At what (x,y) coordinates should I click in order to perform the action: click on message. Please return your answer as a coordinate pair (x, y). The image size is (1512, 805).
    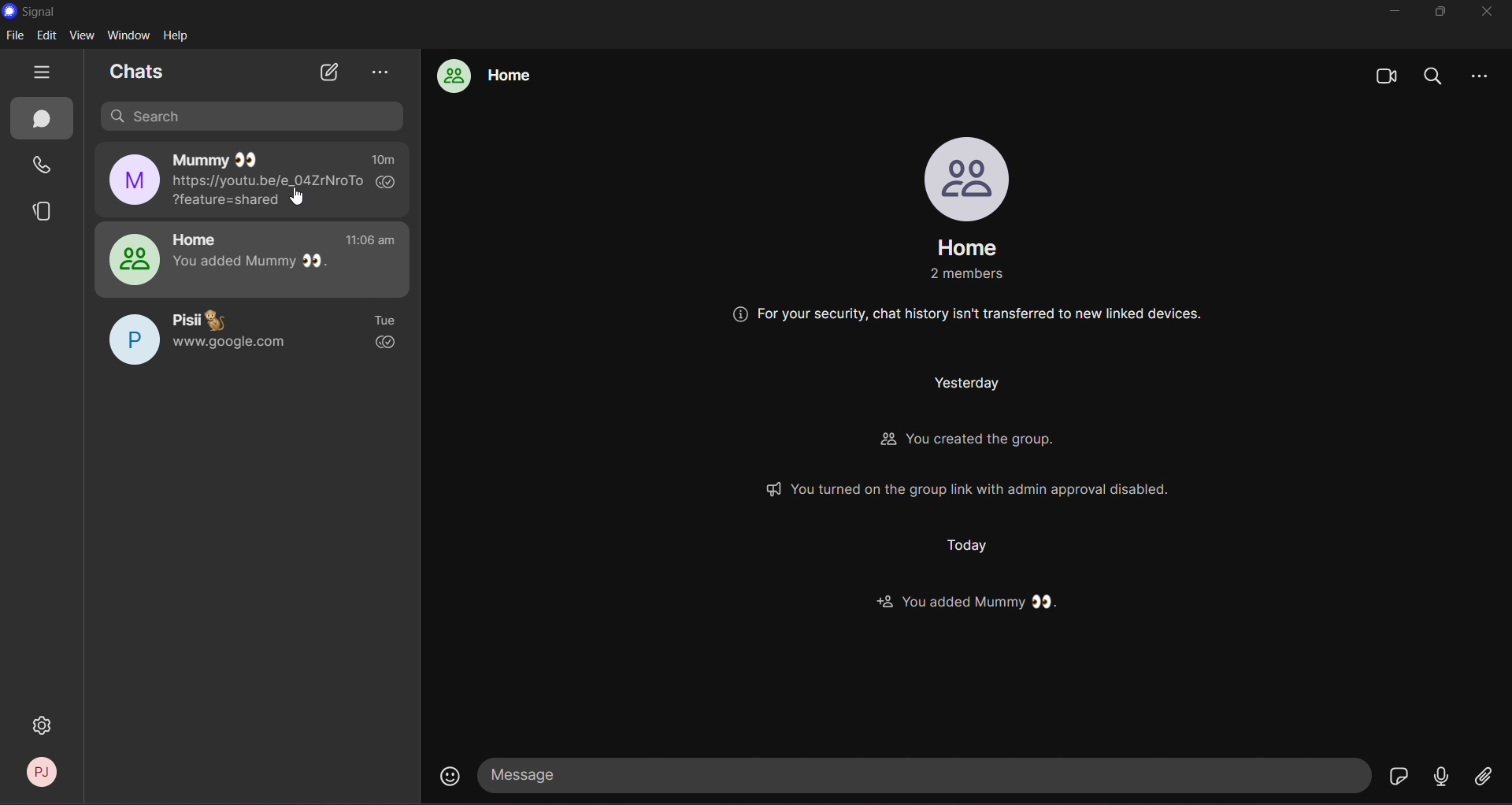
    Looking at the image, I should click on (926, 776).